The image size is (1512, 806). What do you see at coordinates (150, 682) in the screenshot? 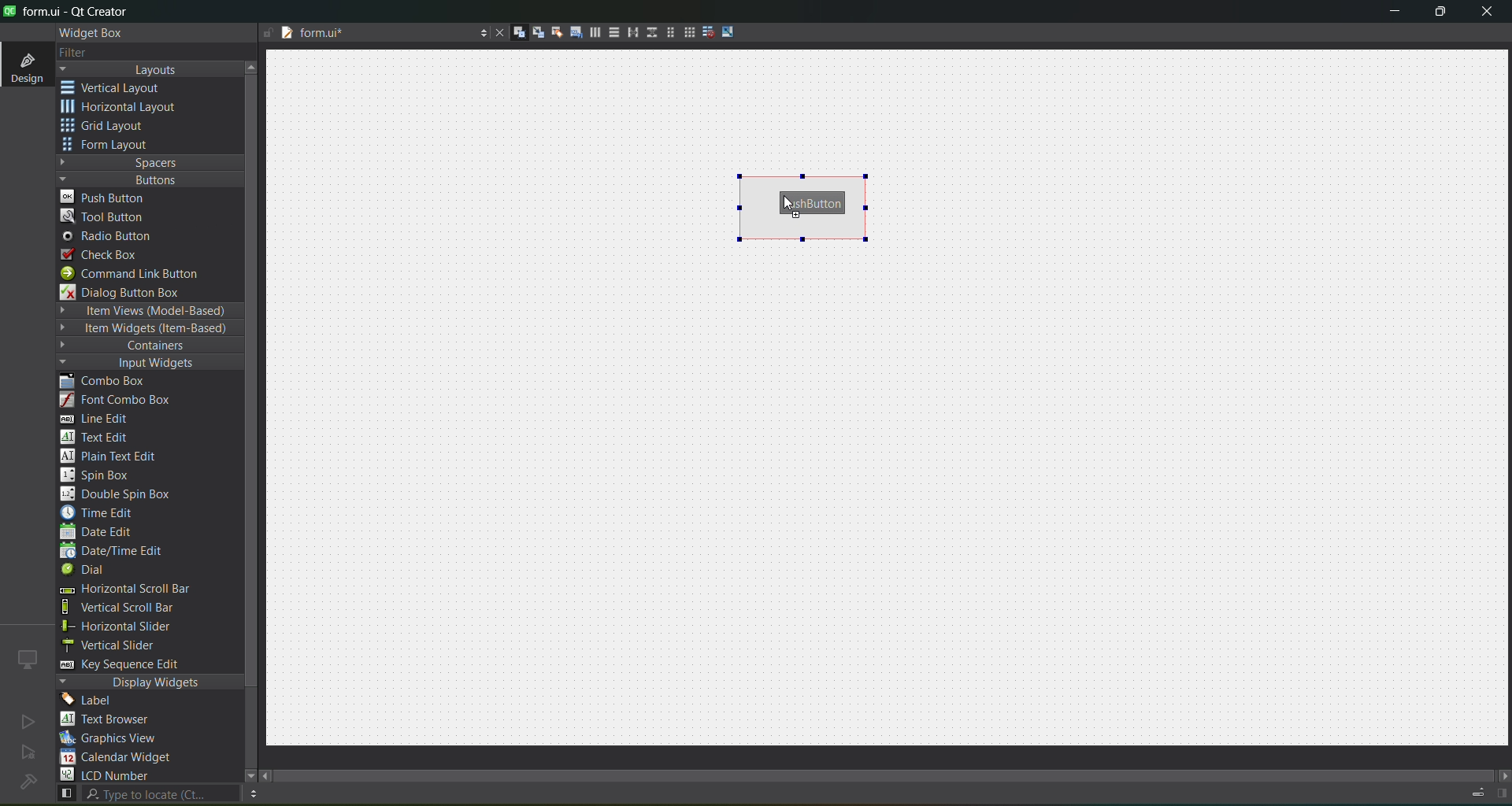
I see `display widgets` at bounding box center [150, 682].